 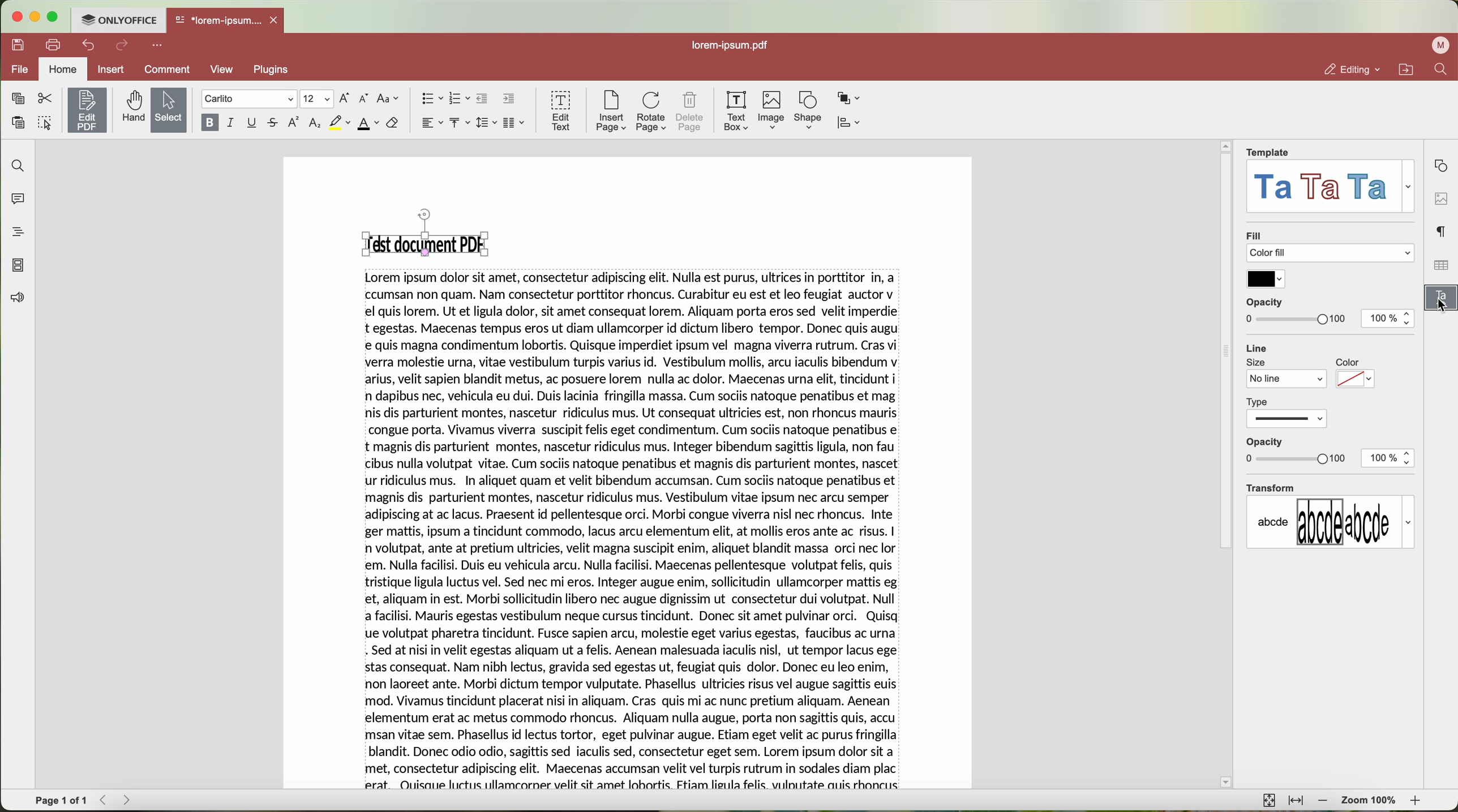 I want to click on underline, so click(x=253, y=123).